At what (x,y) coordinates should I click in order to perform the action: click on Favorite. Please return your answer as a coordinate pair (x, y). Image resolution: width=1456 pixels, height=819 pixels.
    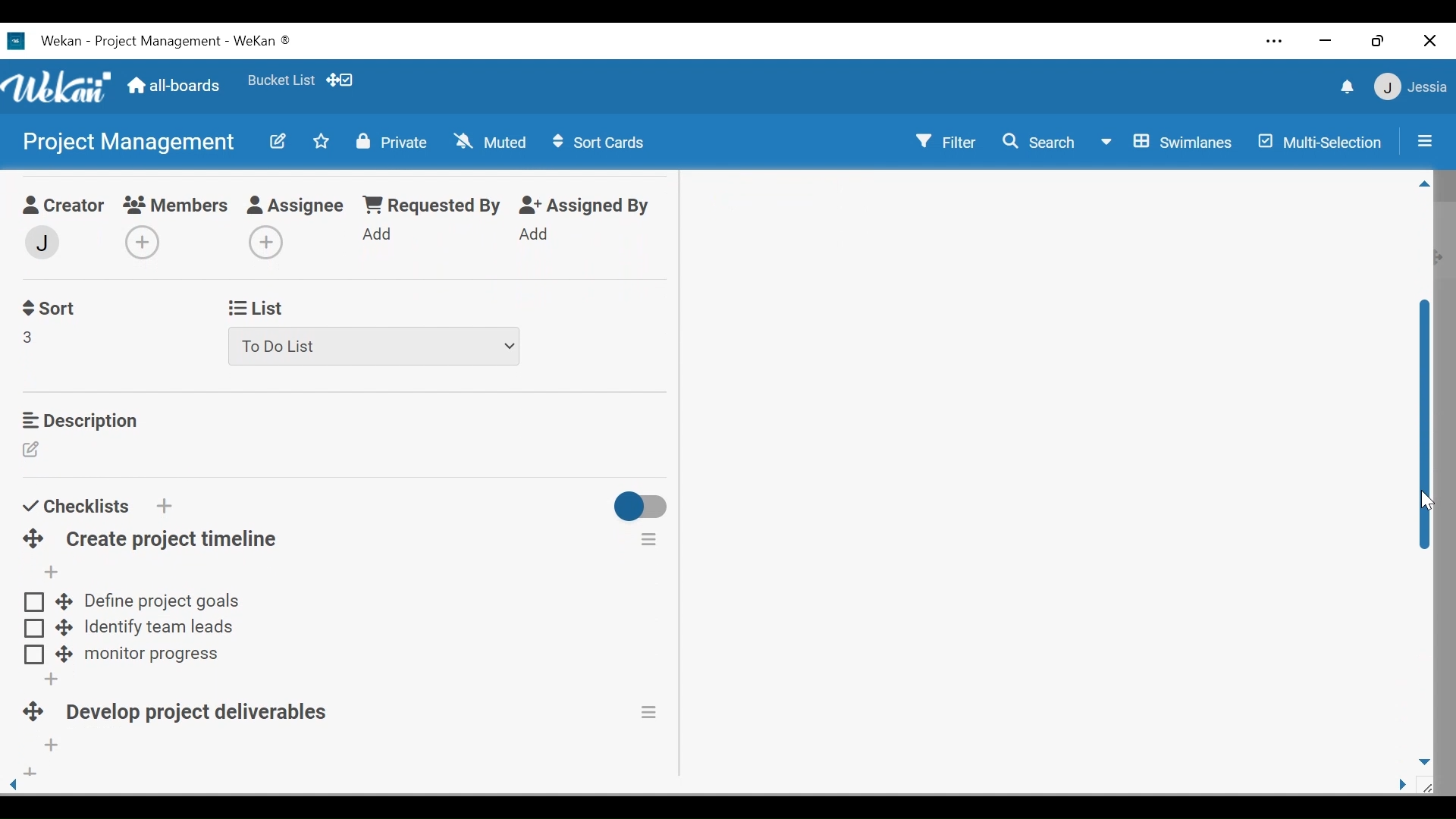
    Looking at the image, I should click on (281, 80).